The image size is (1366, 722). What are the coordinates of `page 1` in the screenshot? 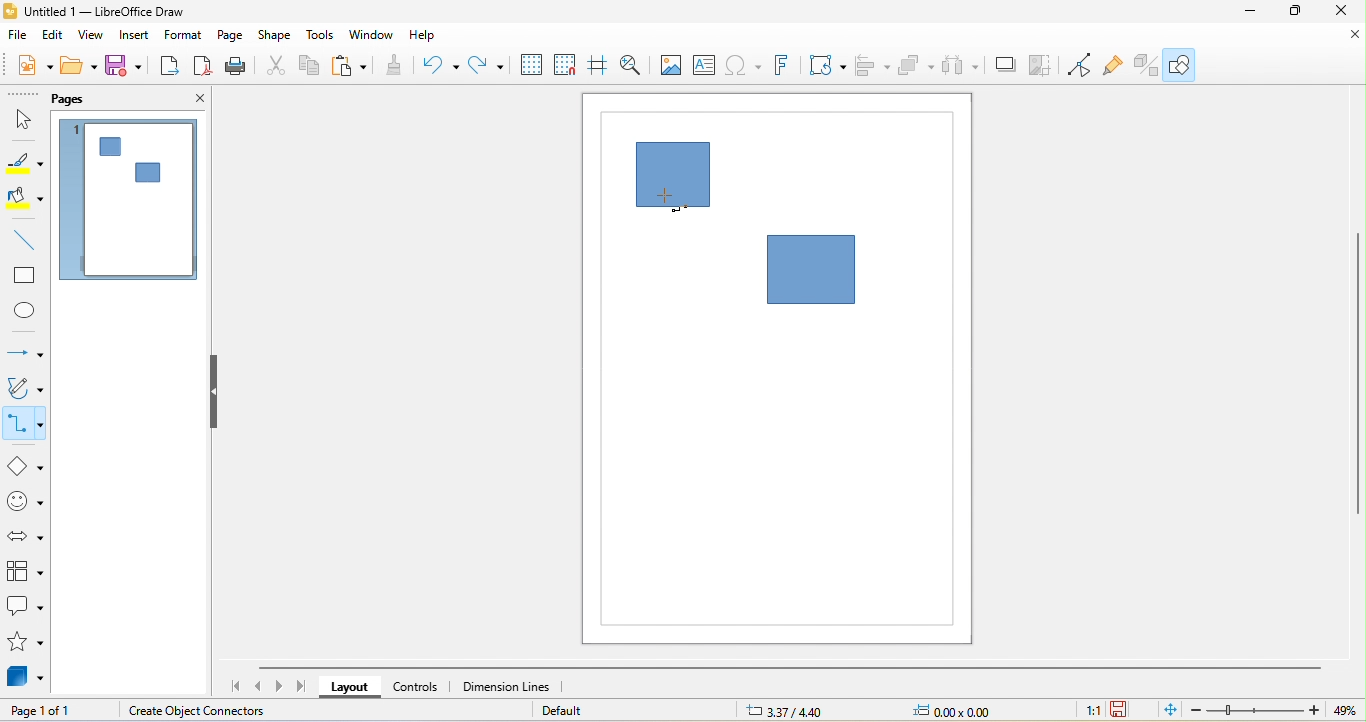 It's located at (129, 202).